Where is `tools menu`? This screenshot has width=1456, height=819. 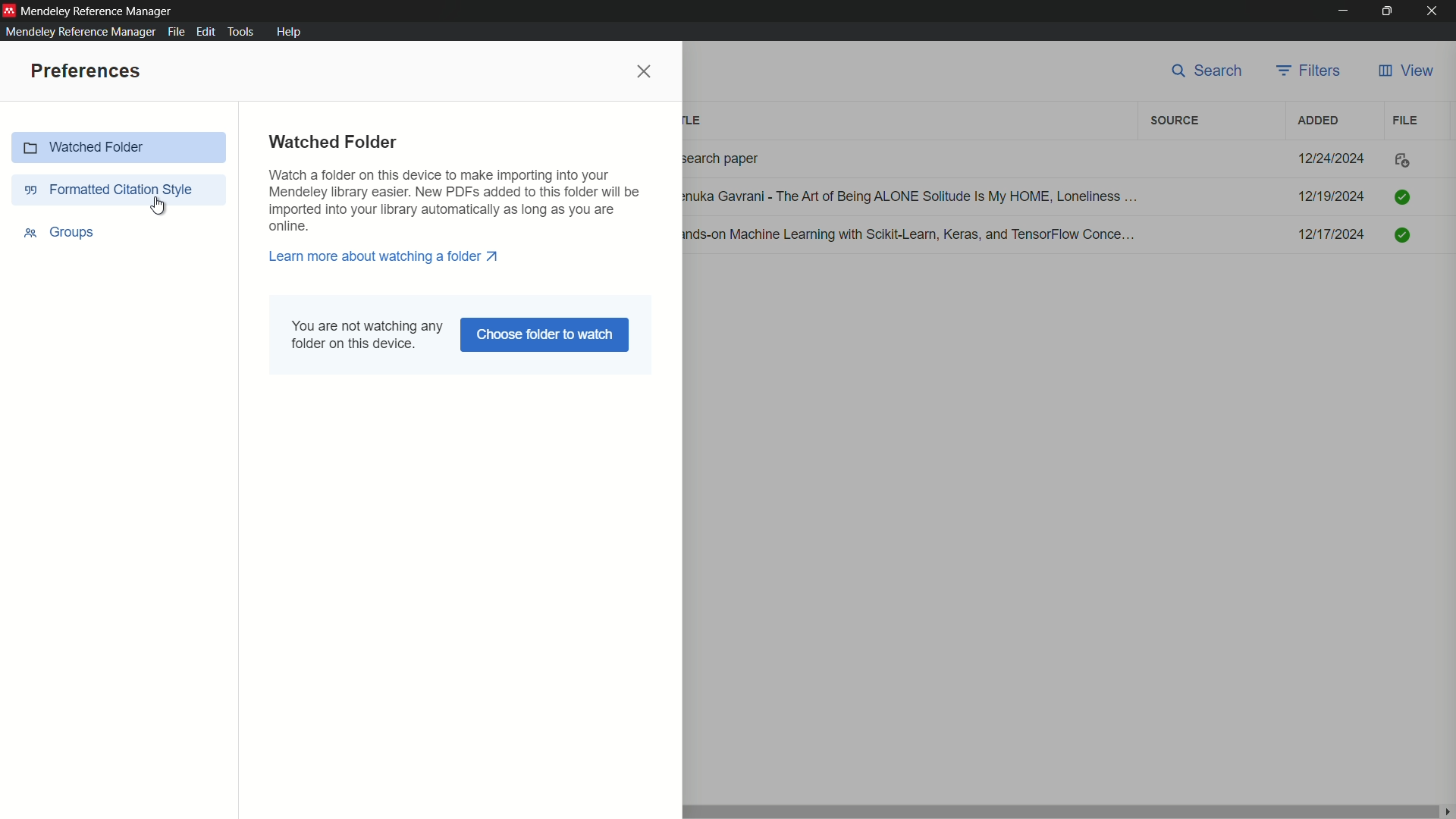 tools menu is located at coordinates (244, 32).